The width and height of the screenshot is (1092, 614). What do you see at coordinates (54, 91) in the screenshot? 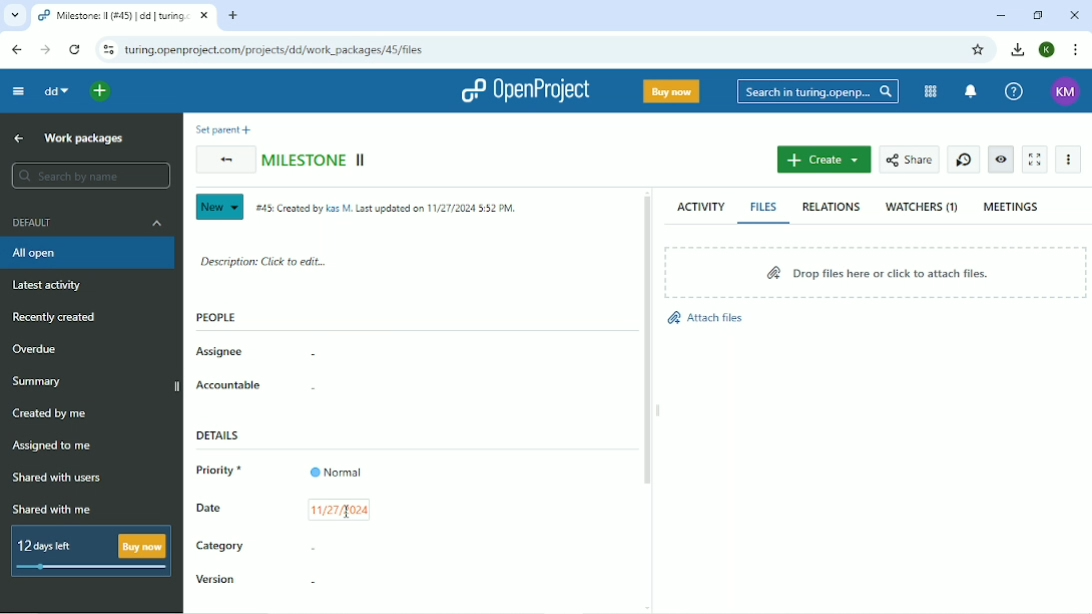
I see `dd` at bounding box center [54, 91].